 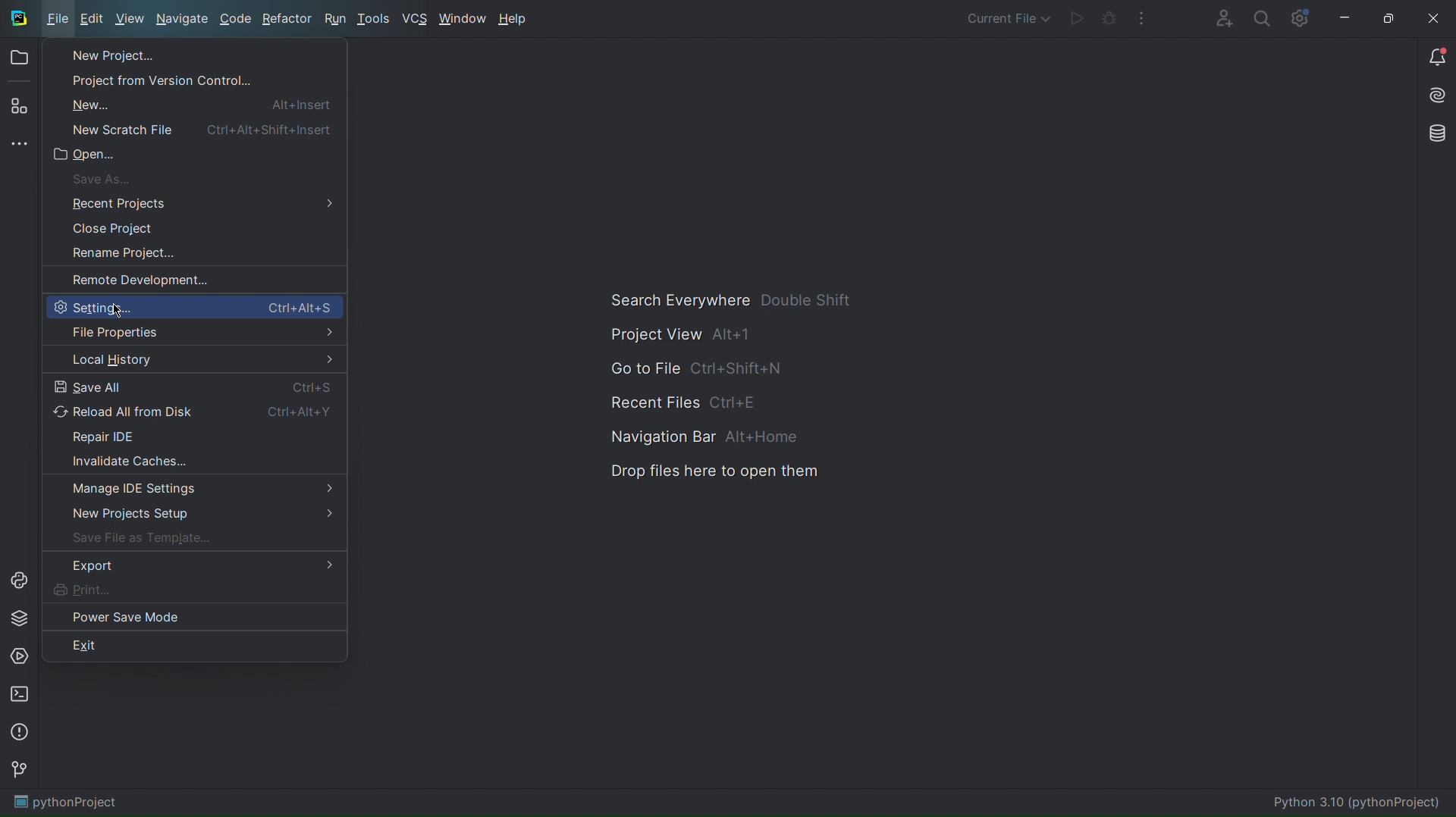 What do you see at coordinates (334, 20) in the screenshot?
I see `Run` at bounding box center [334, 20].